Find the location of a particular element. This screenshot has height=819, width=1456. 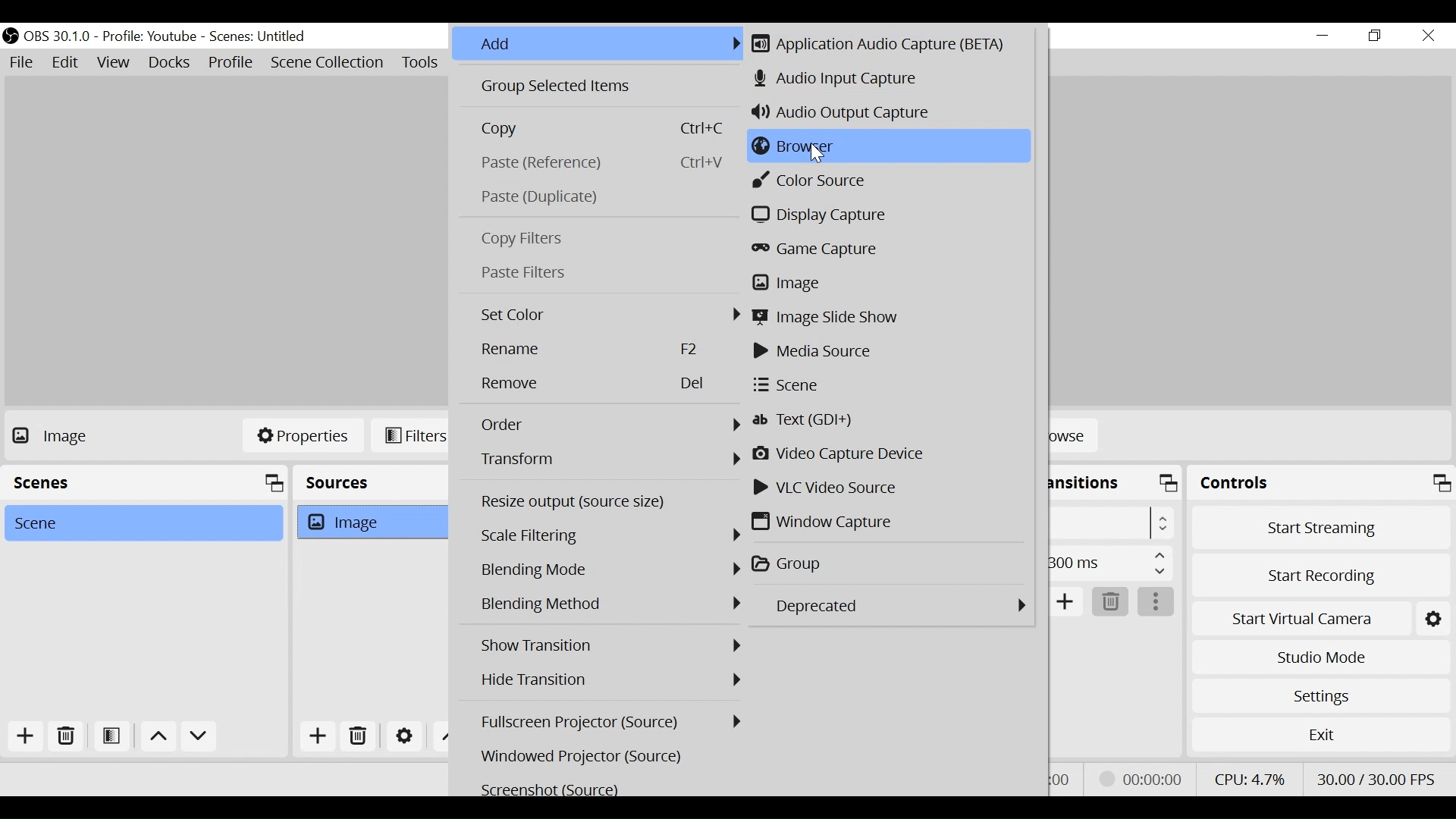

Screenshot (Source) is located at coordinates (613, 786).